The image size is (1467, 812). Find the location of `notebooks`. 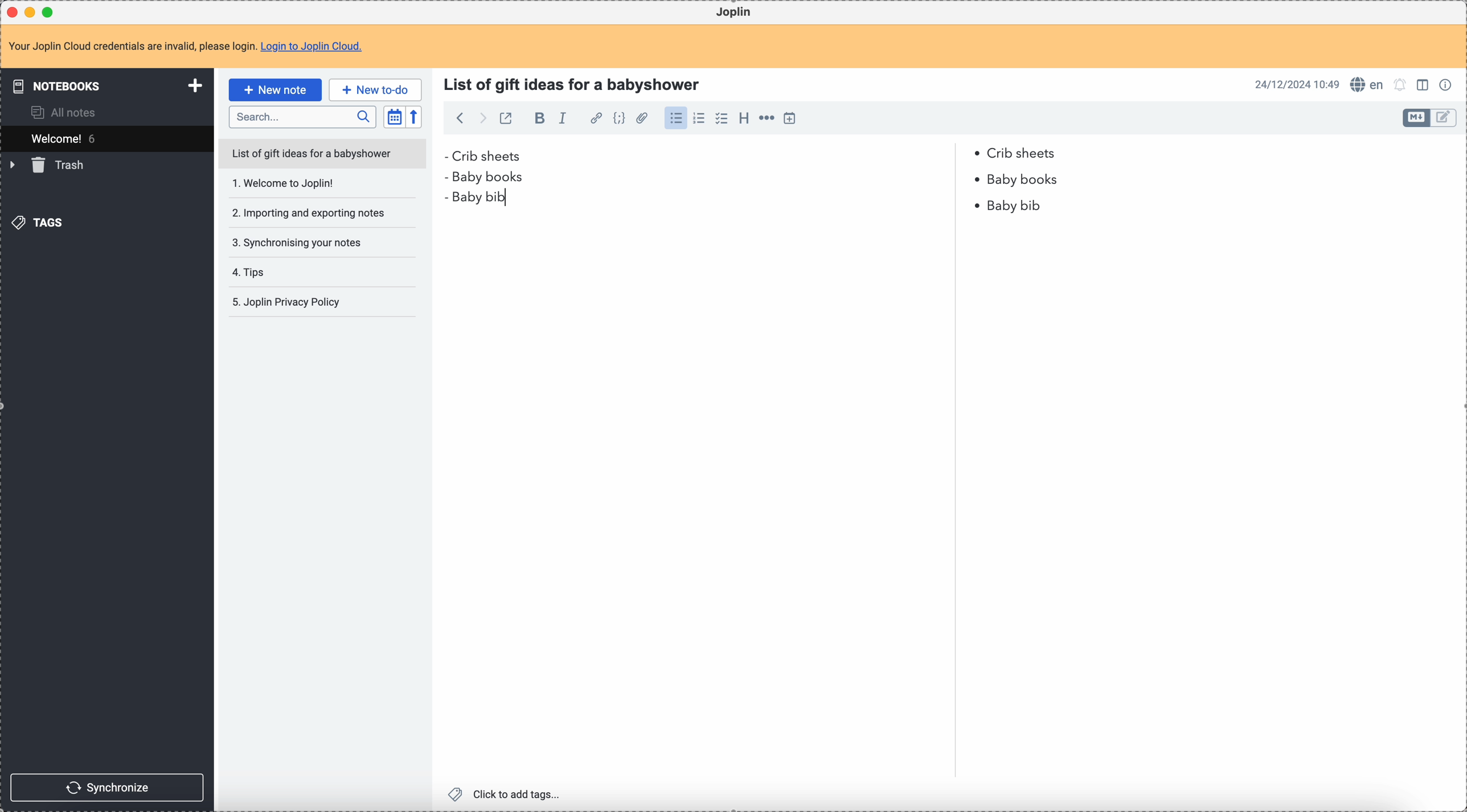

notebooks is located at coordinates (103, 87).